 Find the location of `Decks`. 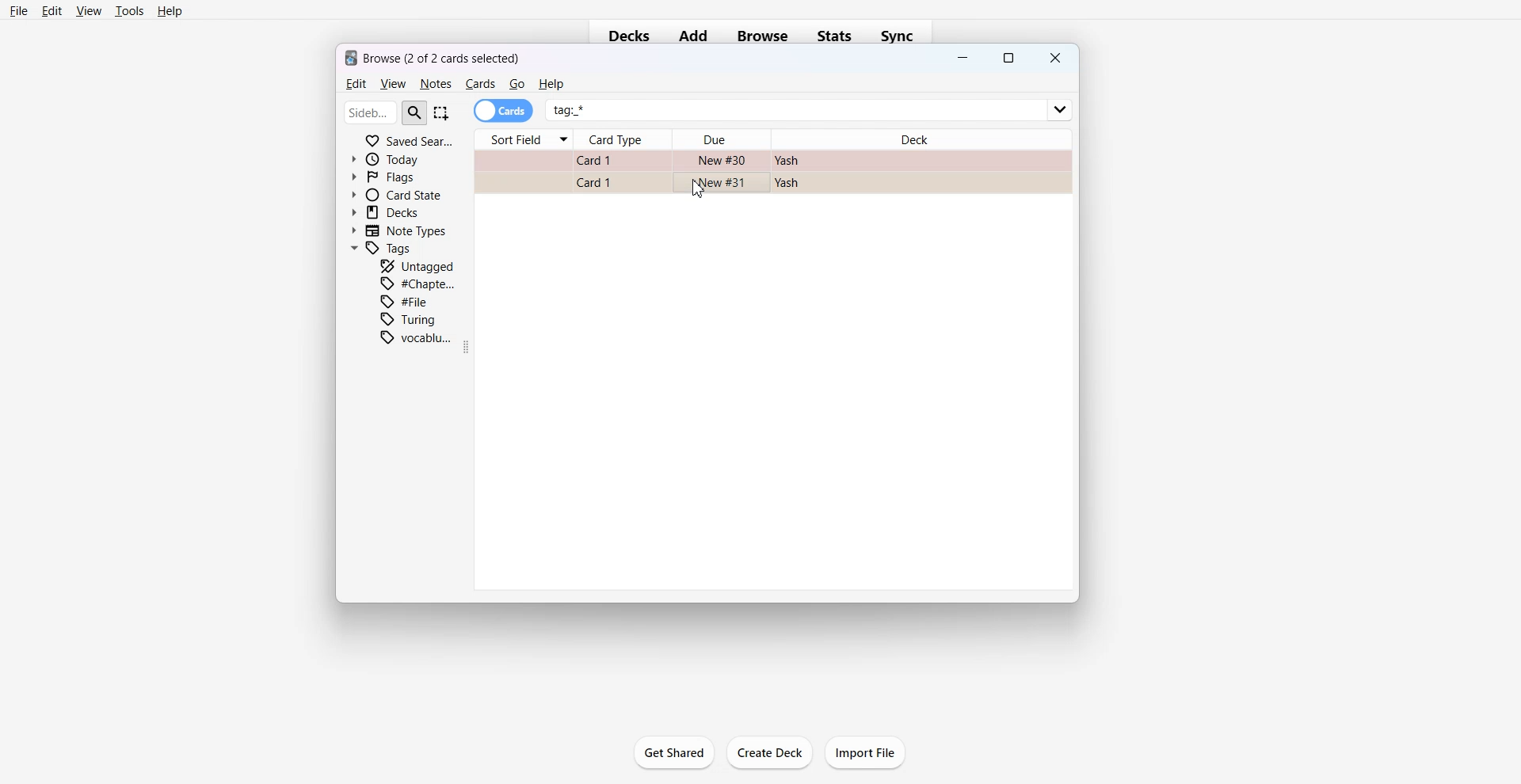

Decks is located at coordinates (624, 37).